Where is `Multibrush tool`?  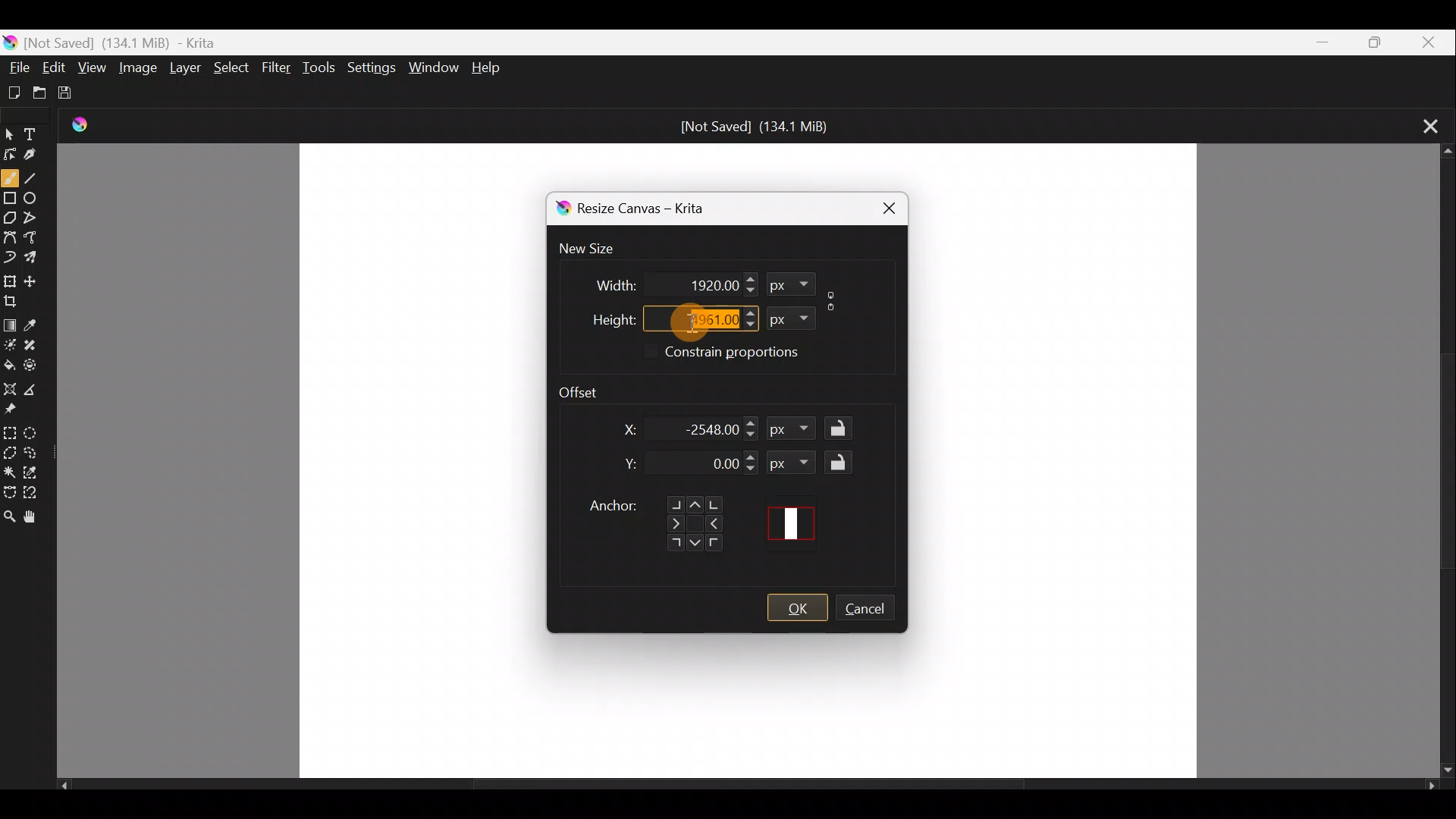 Multibrush tool is located at coordinates (38, 260).